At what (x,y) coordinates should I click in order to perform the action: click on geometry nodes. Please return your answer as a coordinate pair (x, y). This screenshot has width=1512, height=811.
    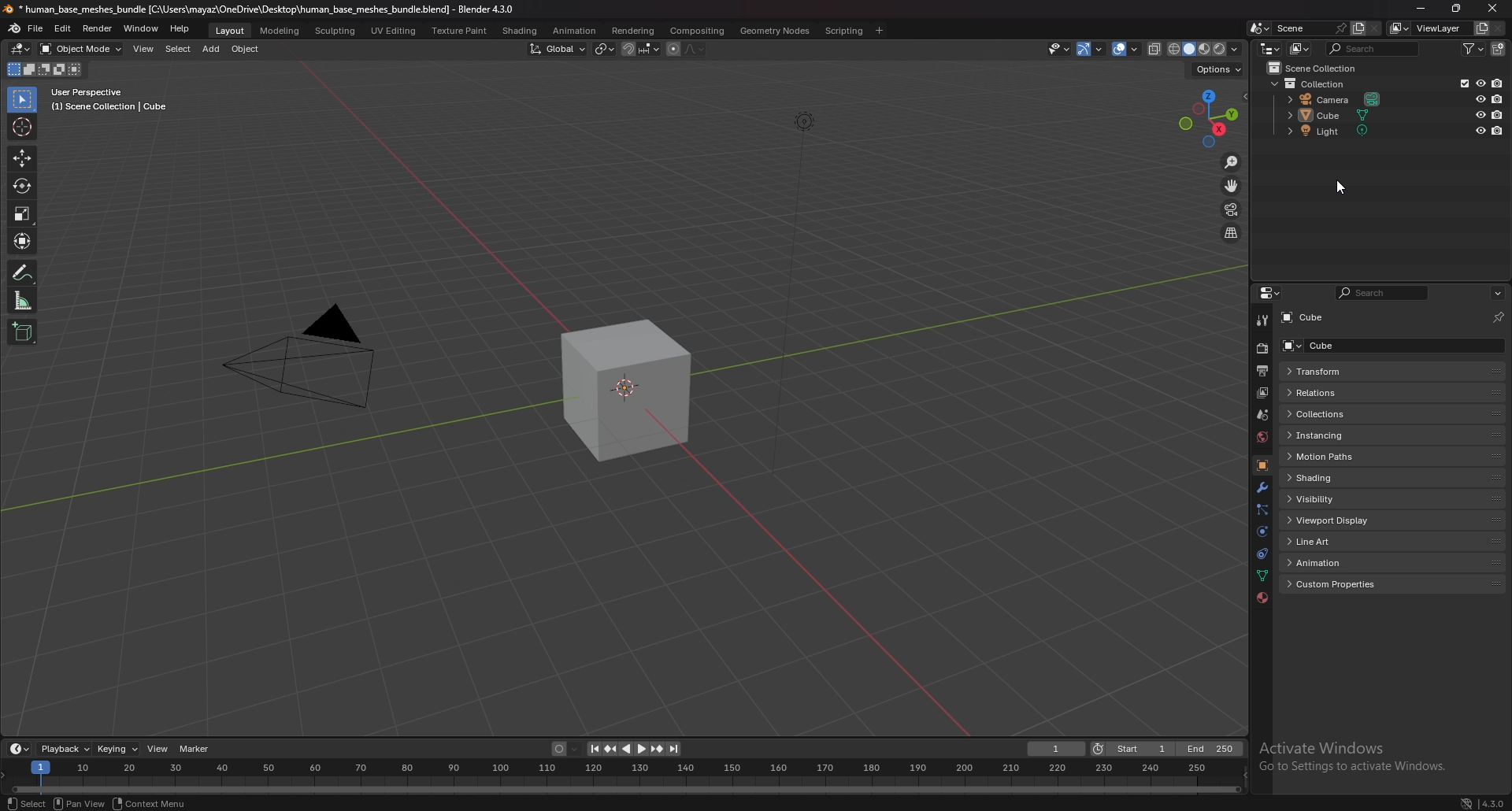
    Looking at the image, I should click on (774, 31).